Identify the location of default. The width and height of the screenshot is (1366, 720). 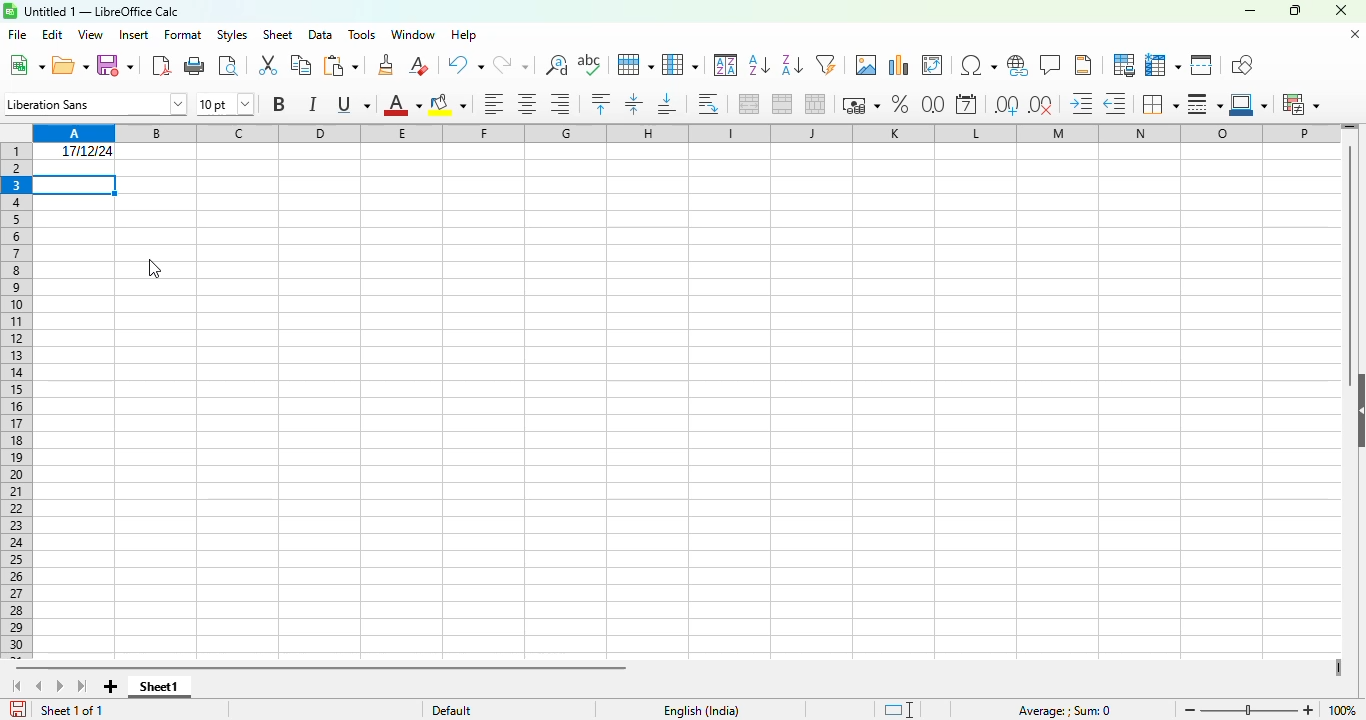
(452, 709).